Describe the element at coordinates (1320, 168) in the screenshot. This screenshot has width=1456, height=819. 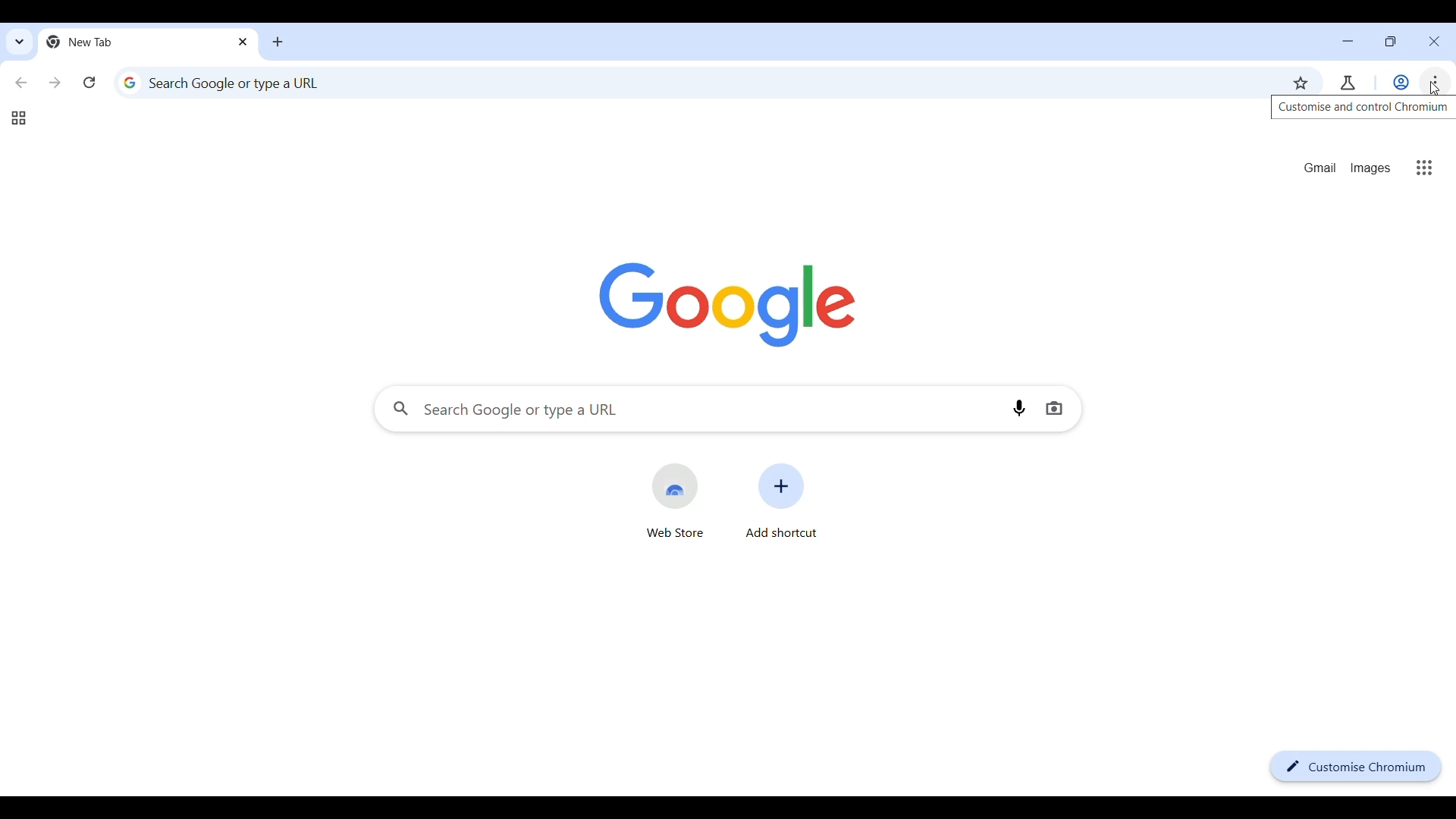
I see `Open Gmail` at that location.